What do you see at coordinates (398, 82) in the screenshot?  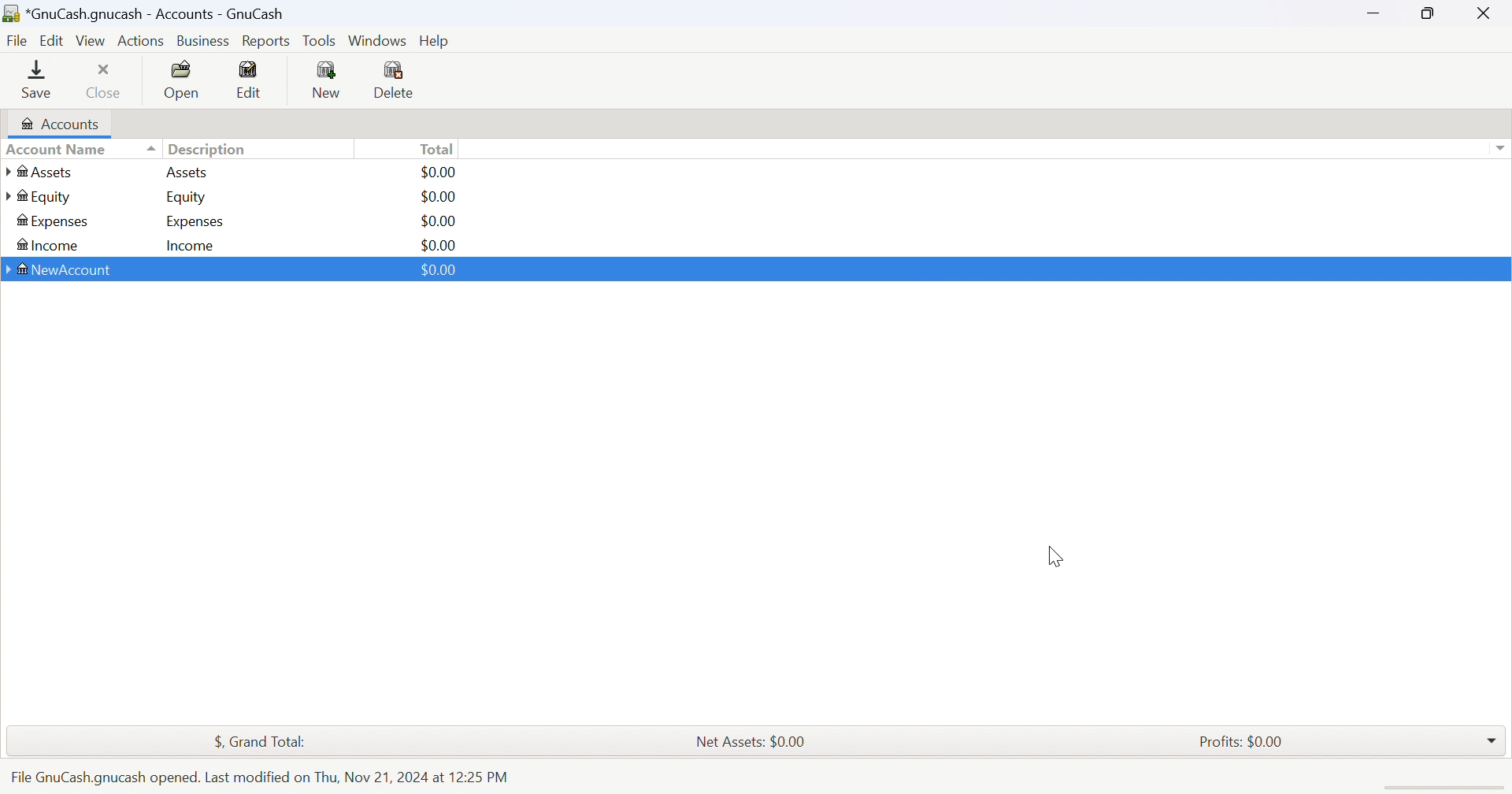 I see `Delete` at bounding box center [398, 82].